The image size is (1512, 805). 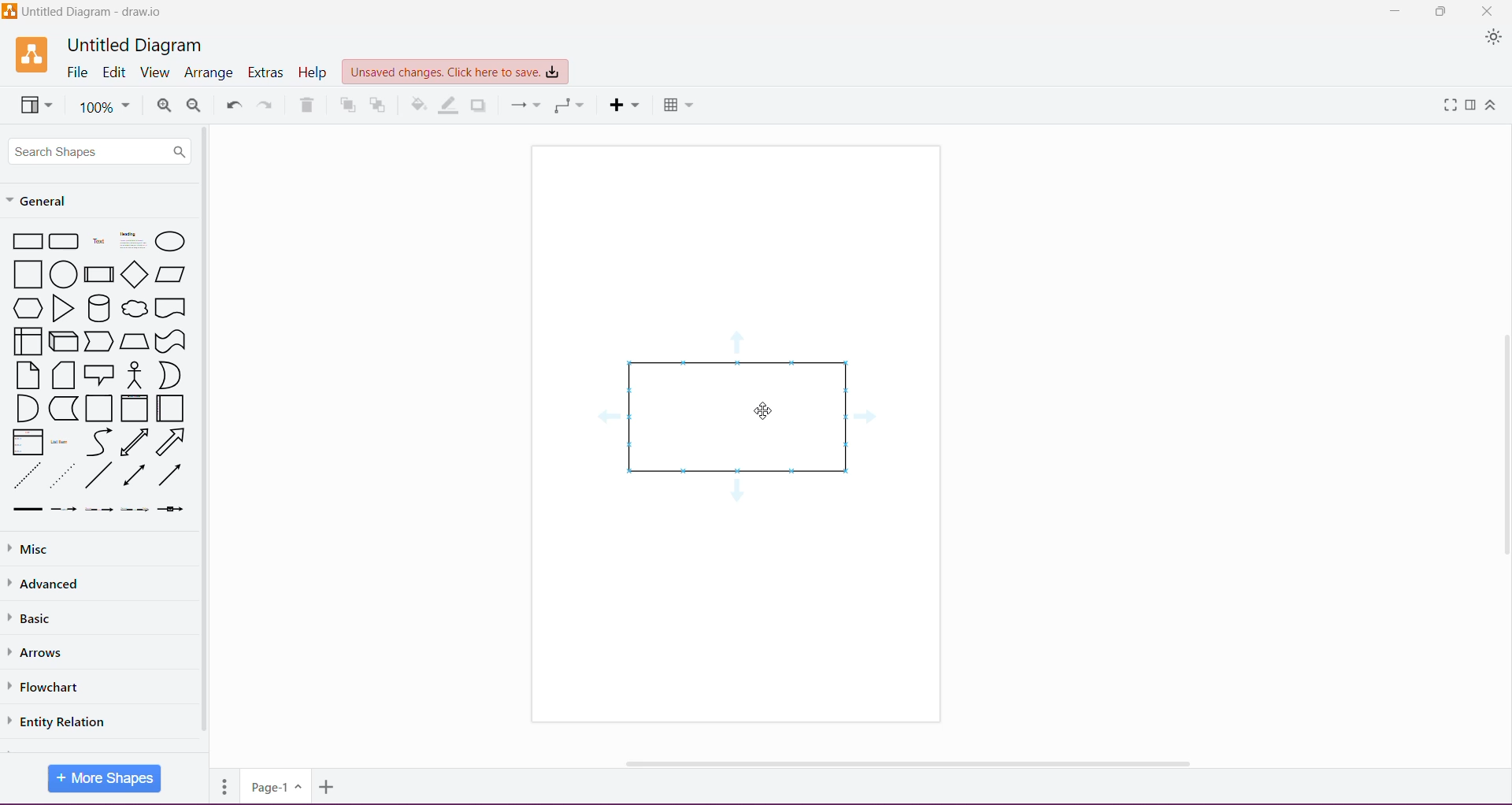 I want to click on Search Shapes, so click(x=101, y=152).